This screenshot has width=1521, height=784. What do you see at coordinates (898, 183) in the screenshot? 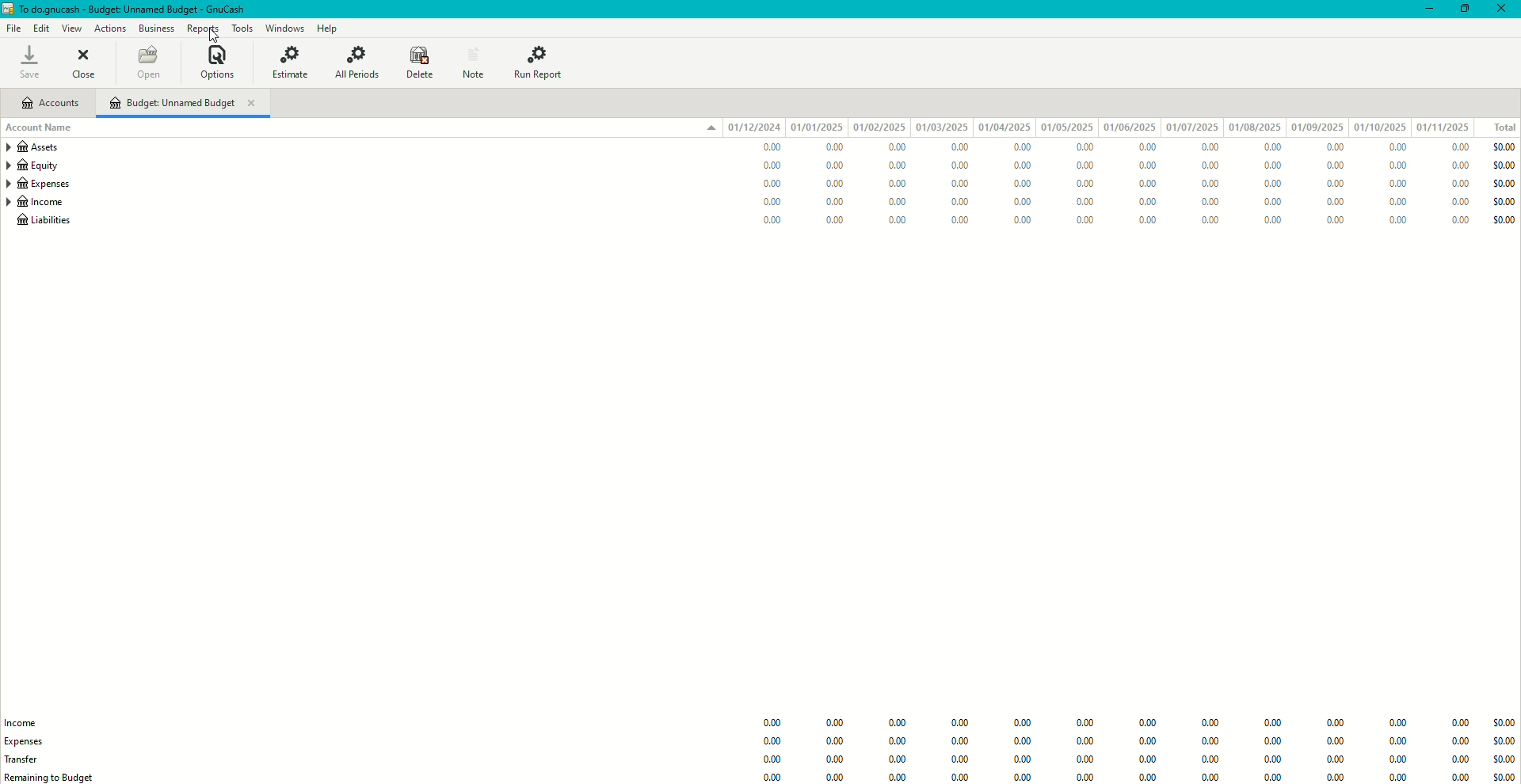
I see `0.00` at bounding box center [898, 183].